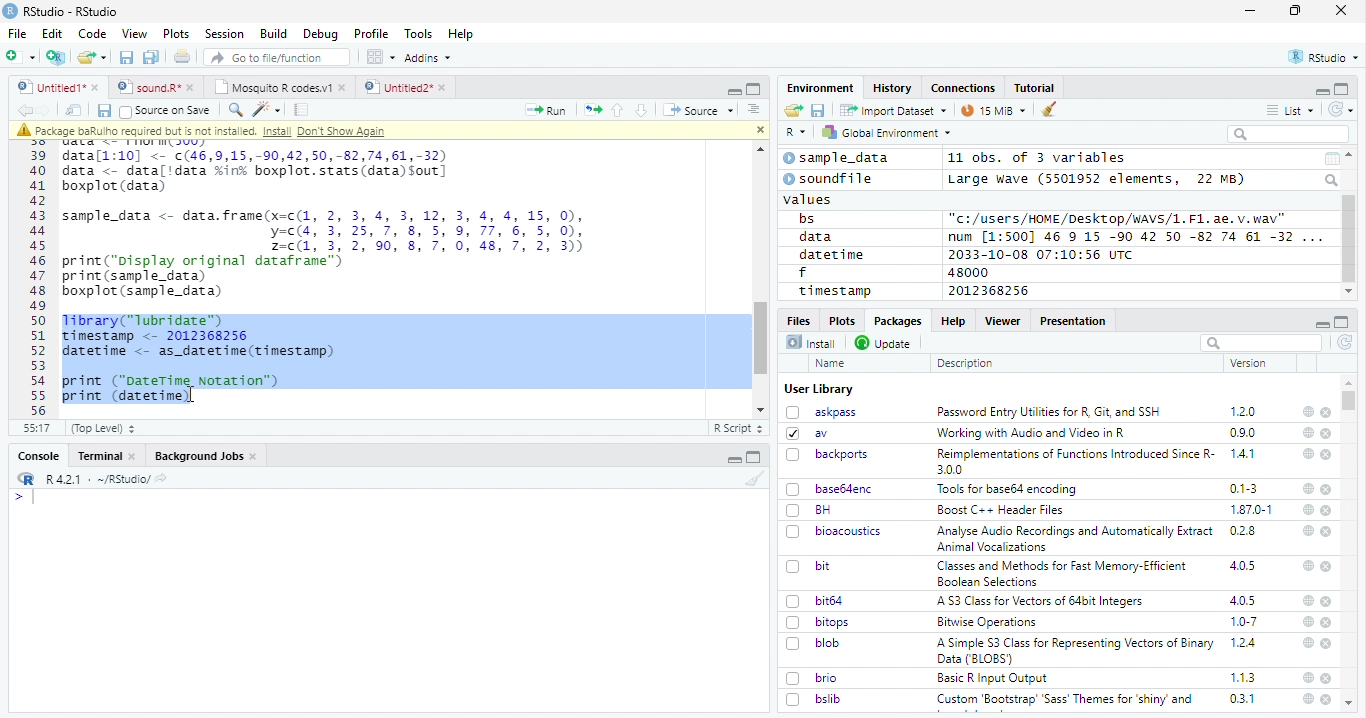  I want to click on Bitwise Operations, so click(989, 622).